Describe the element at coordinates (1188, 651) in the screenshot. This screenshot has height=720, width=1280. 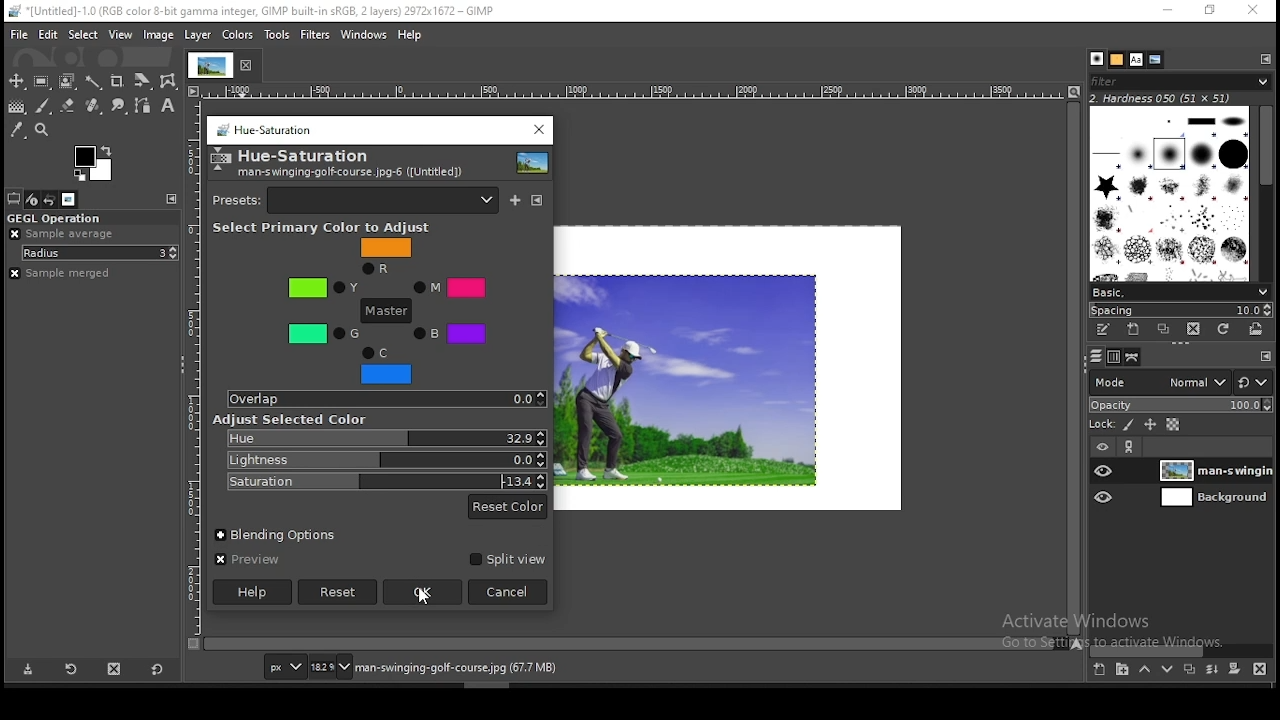
I see `scroll bar` at that location.